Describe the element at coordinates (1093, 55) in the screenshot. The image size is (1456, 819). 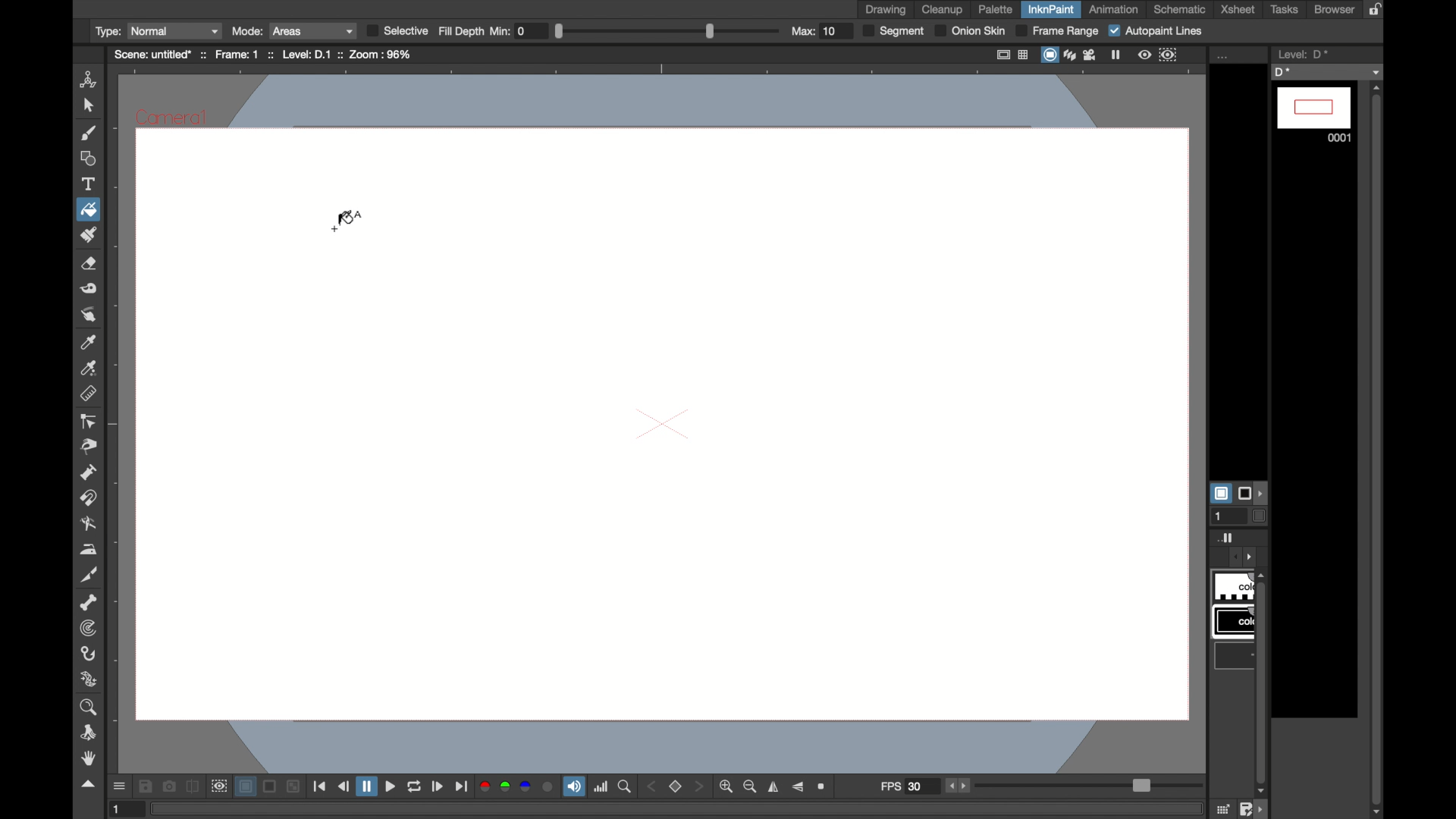
I see `film` at that location.